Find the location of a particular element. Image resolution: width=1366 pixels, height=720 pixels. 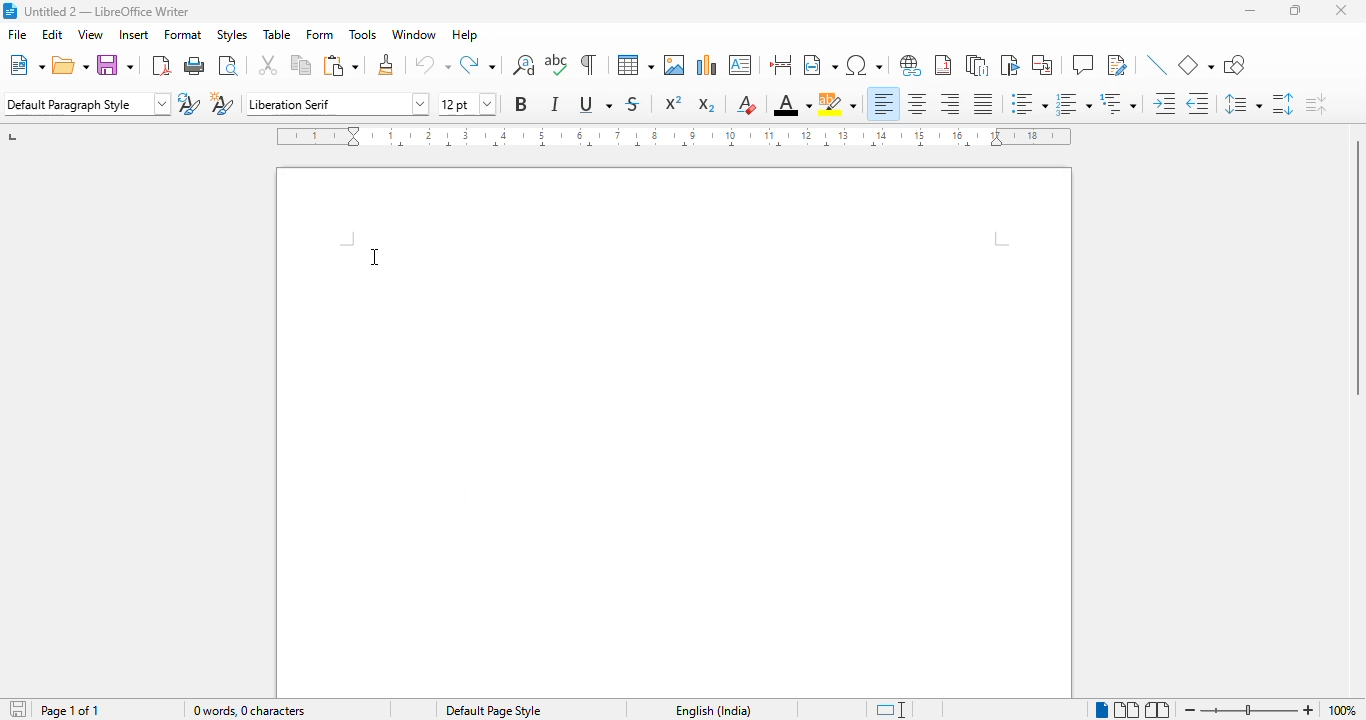

font name is located at coordinates (338, 104).